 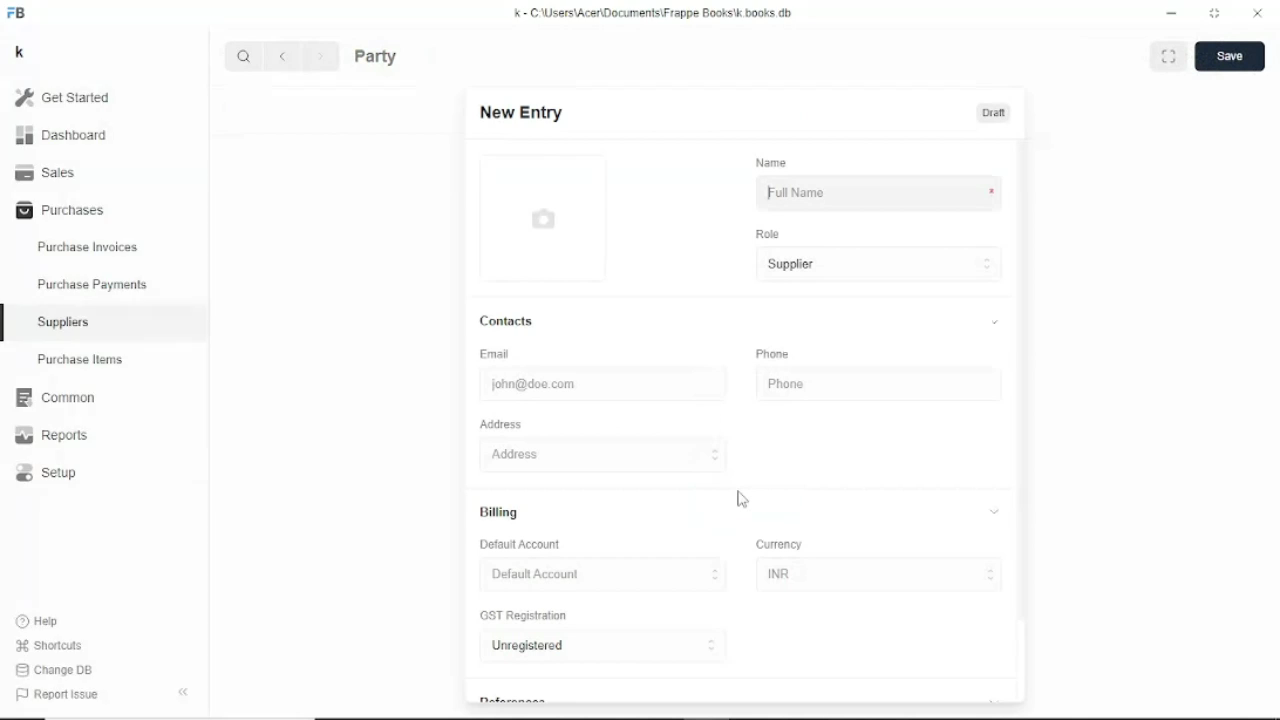 What do you see at coordinates (62, 136) in the screenshot?
I see `Dashboard` at bounding box center [62, 136].